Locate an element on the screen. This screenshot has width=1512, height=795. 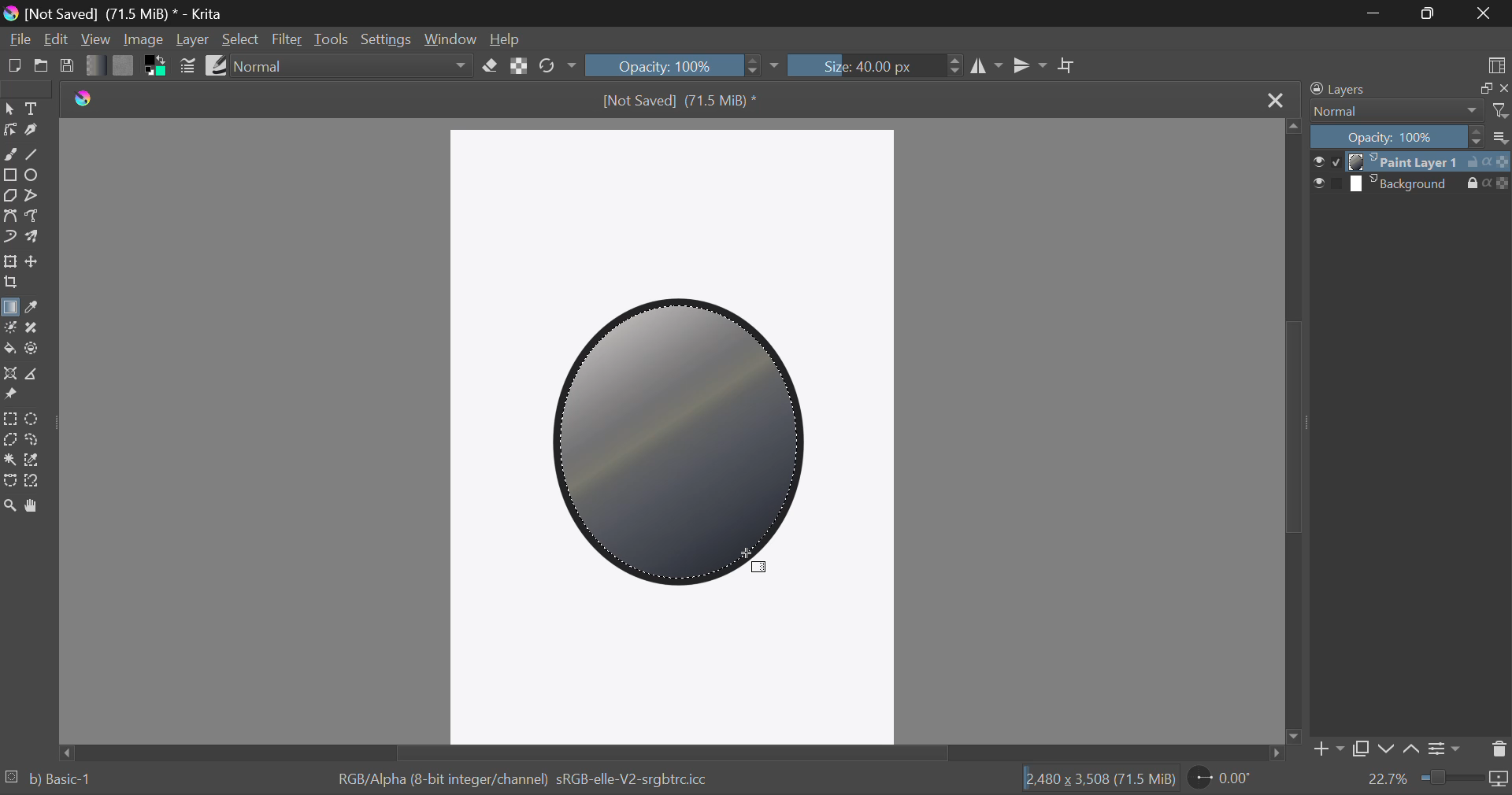
Image is located at coordinates (145, 41).